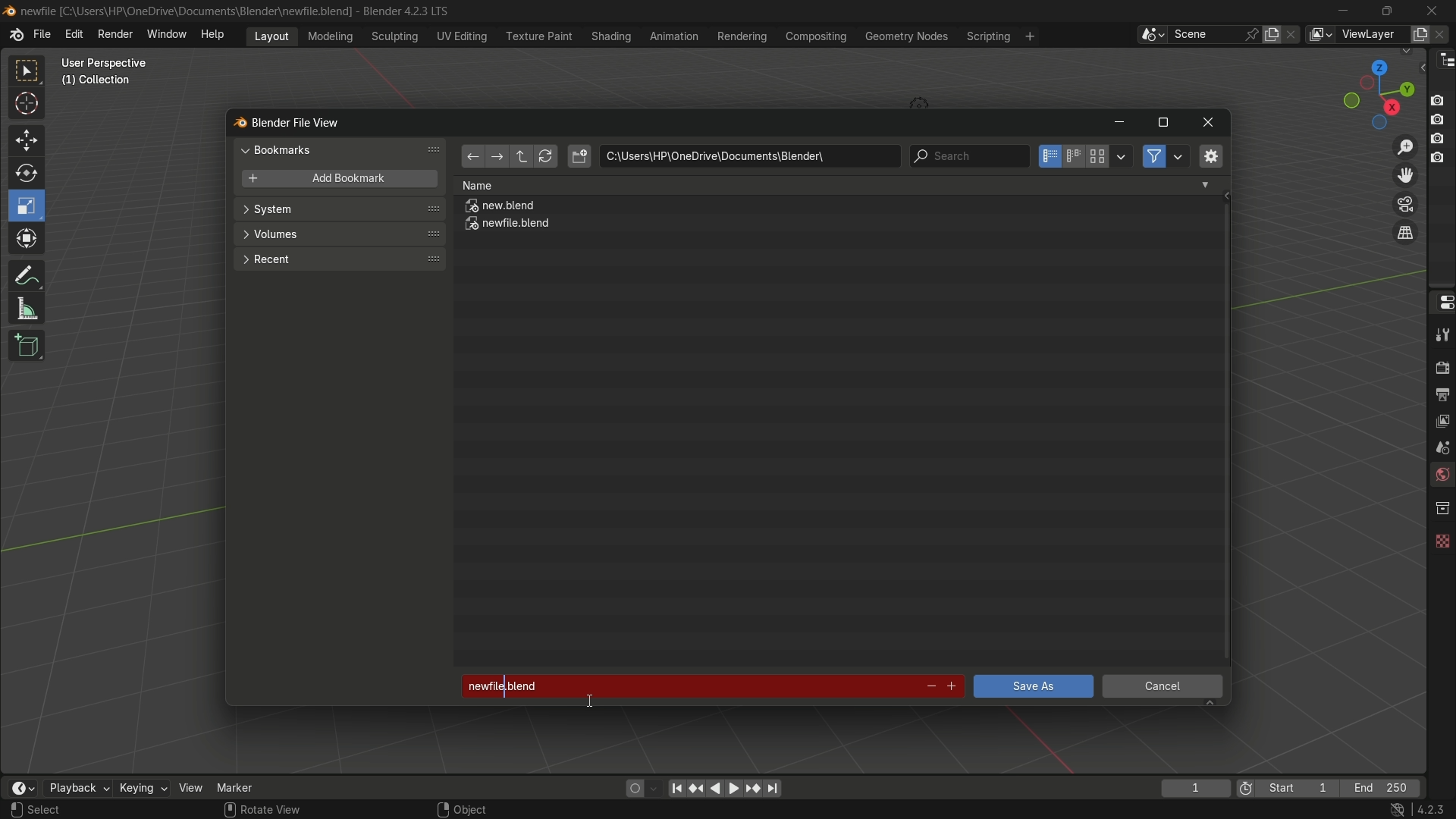 This screenshot has width=1456, height=819. What do you see at coordinates (773, 789) in the screenshot?
I see `jump to endpoint` at bounding box center [773, 789].